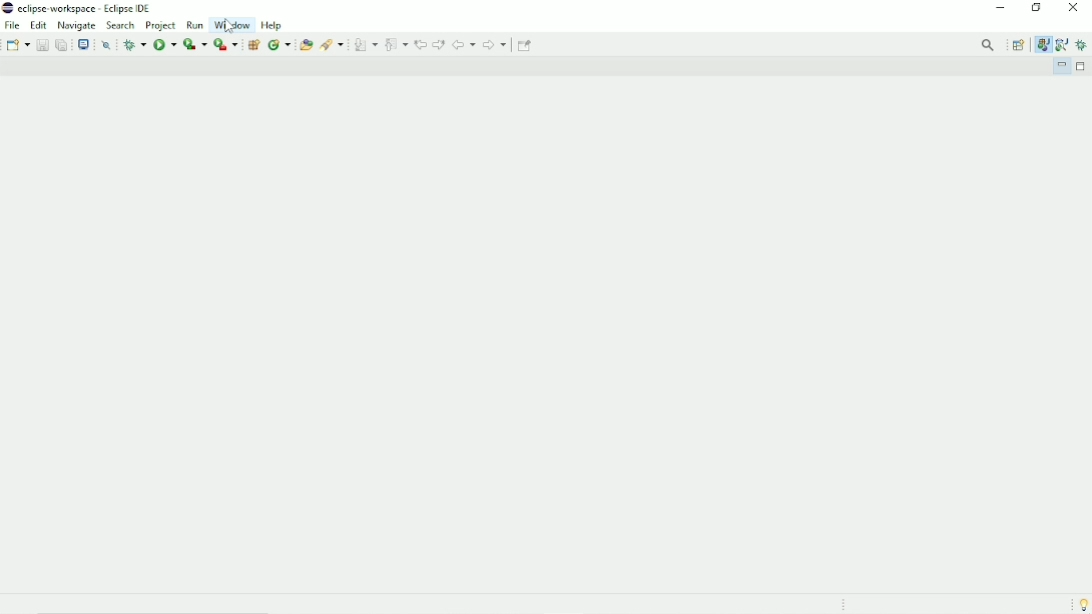 This screenshot has width=1092, height=614. What do you see at coordinates (1061, 45) in the screenshot?
I see `Java Browsing` at bounding box center [1061, 45].